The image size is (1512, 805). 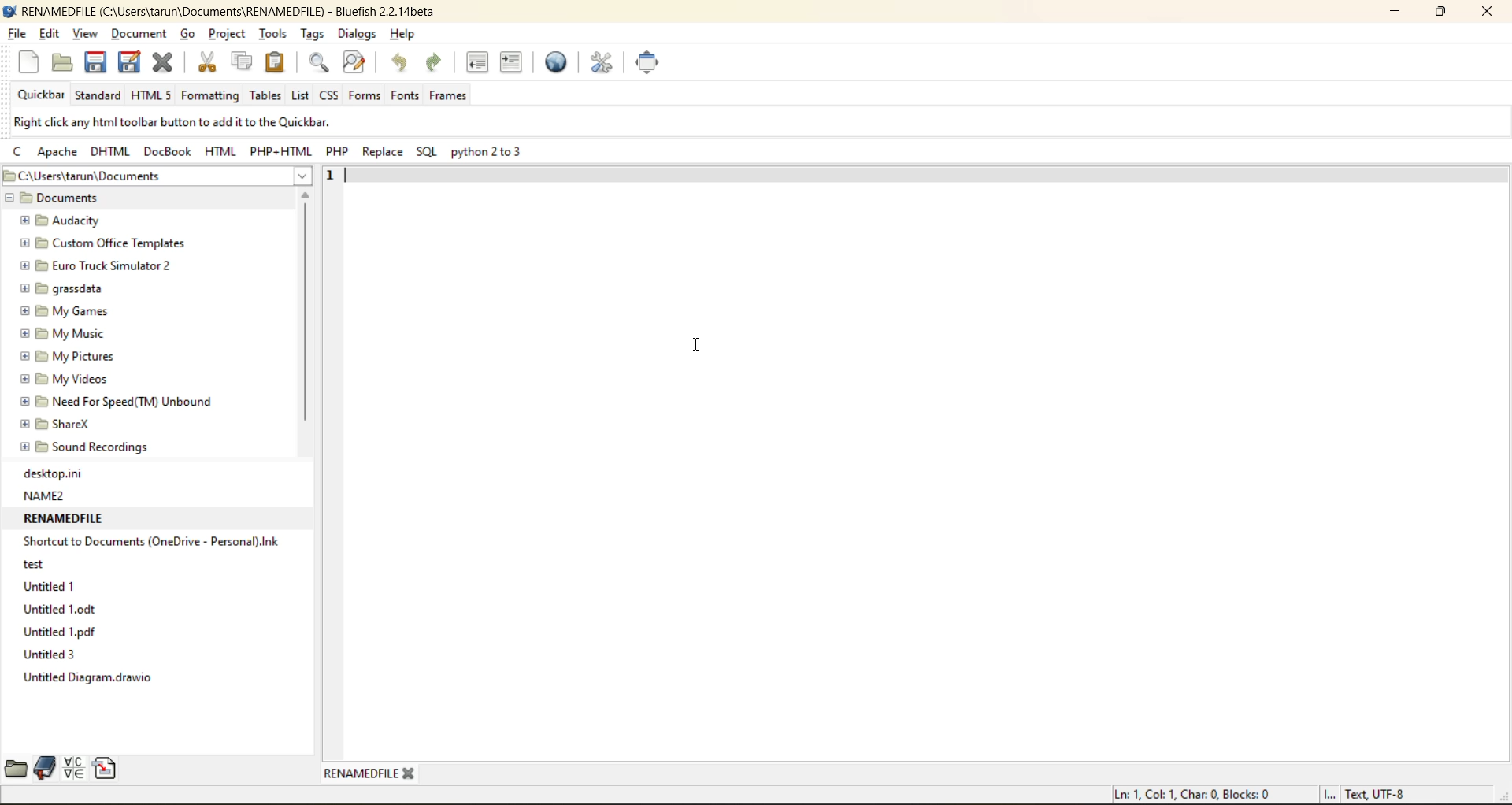 I want to click on html 5, so click(x=155, y=96).